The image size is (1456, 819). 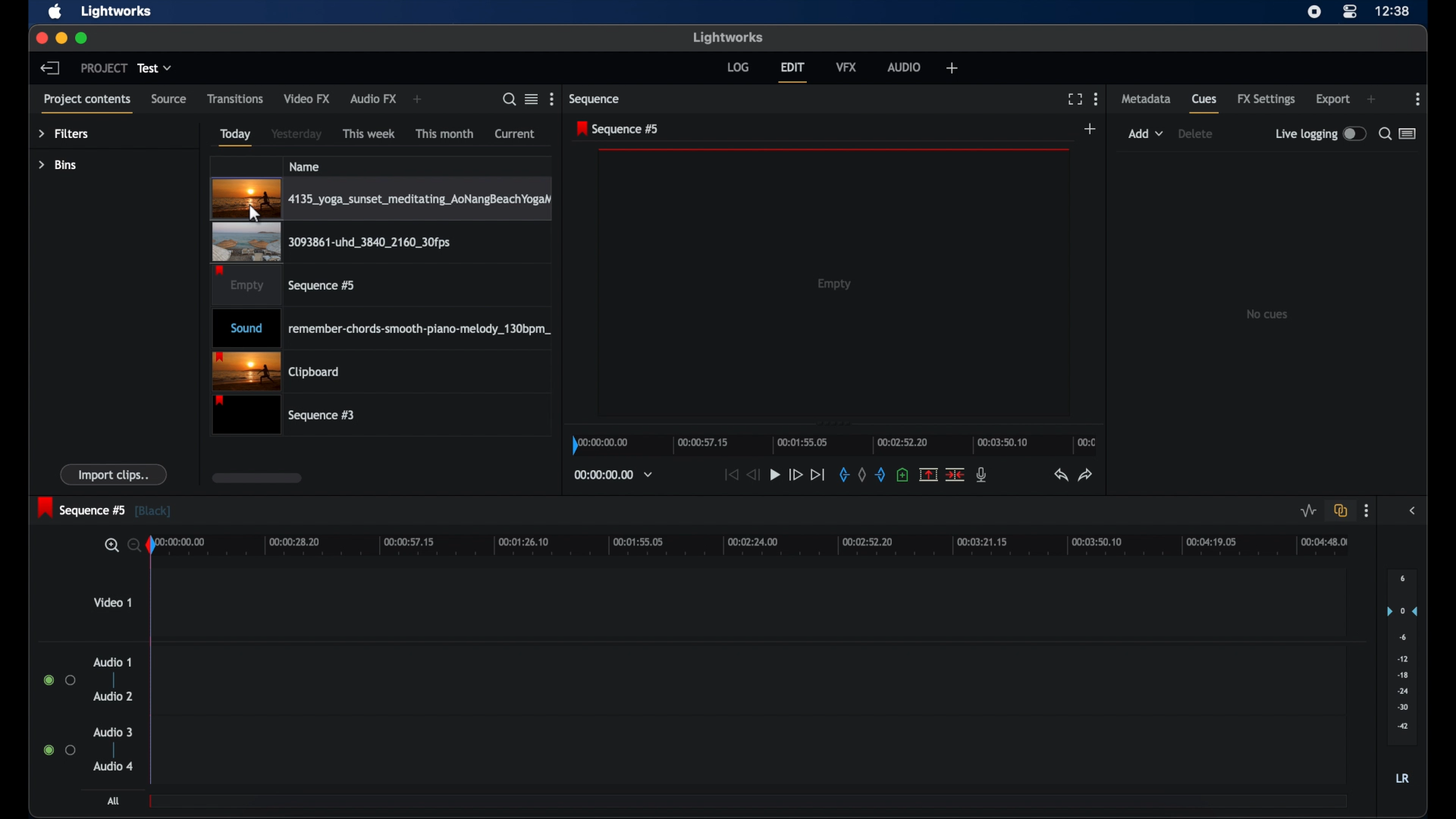 I want to click on sequence, so click(x=617, y=128).